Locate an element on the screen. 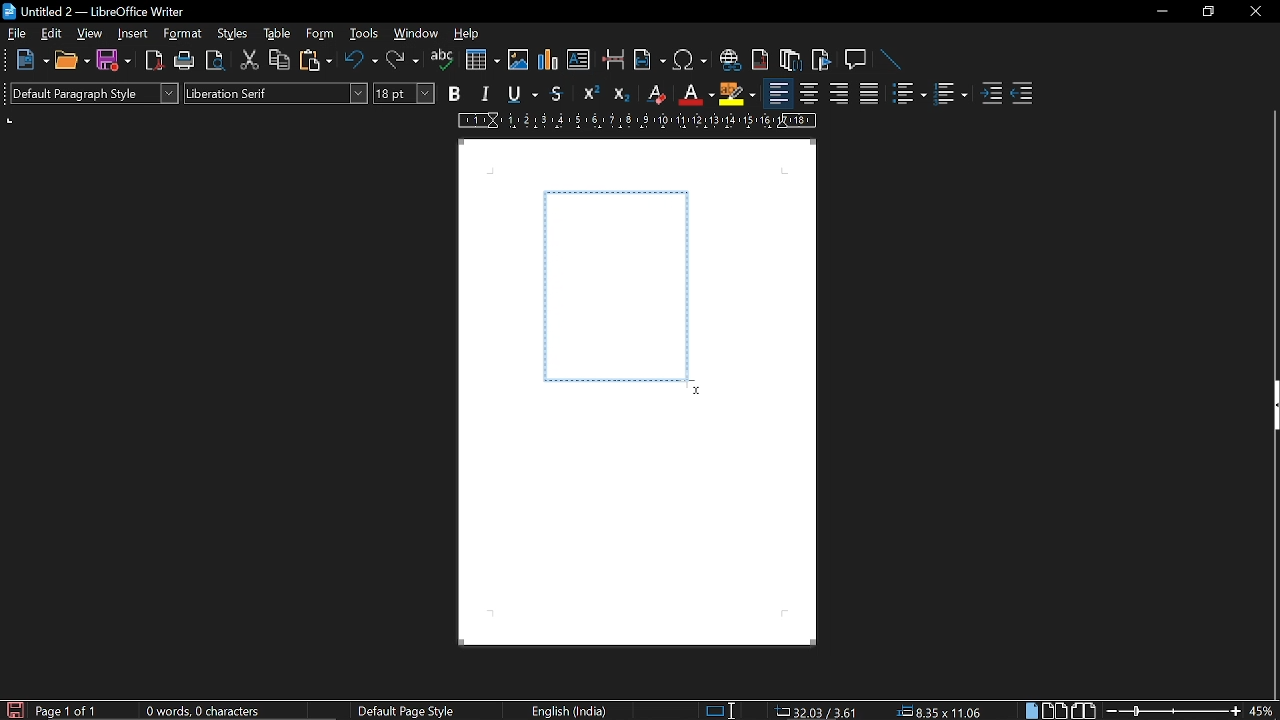  file is located at coordinates (15, 34).